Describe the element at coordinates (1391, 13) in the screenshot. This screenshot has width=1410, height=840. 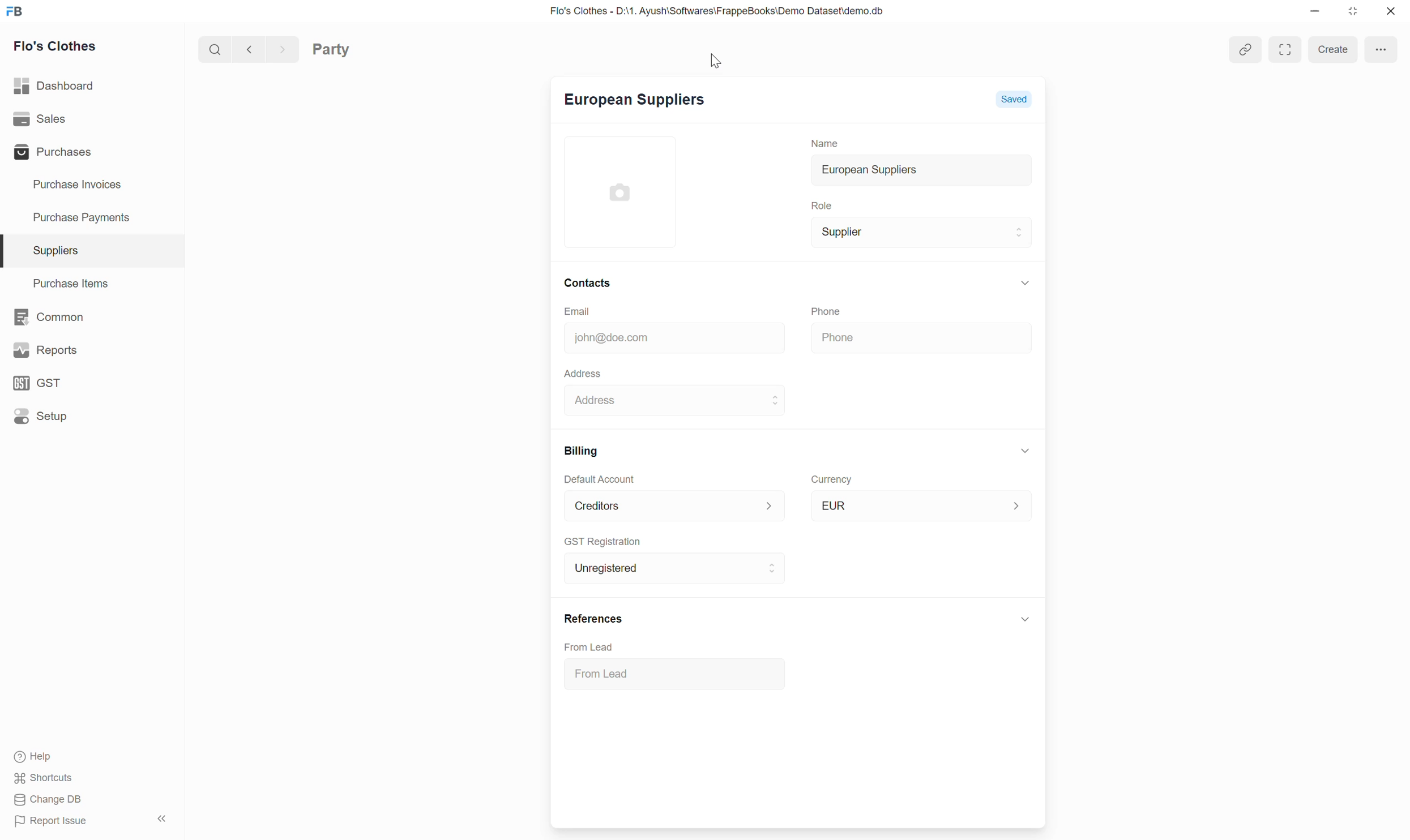
I see `close` at that location.